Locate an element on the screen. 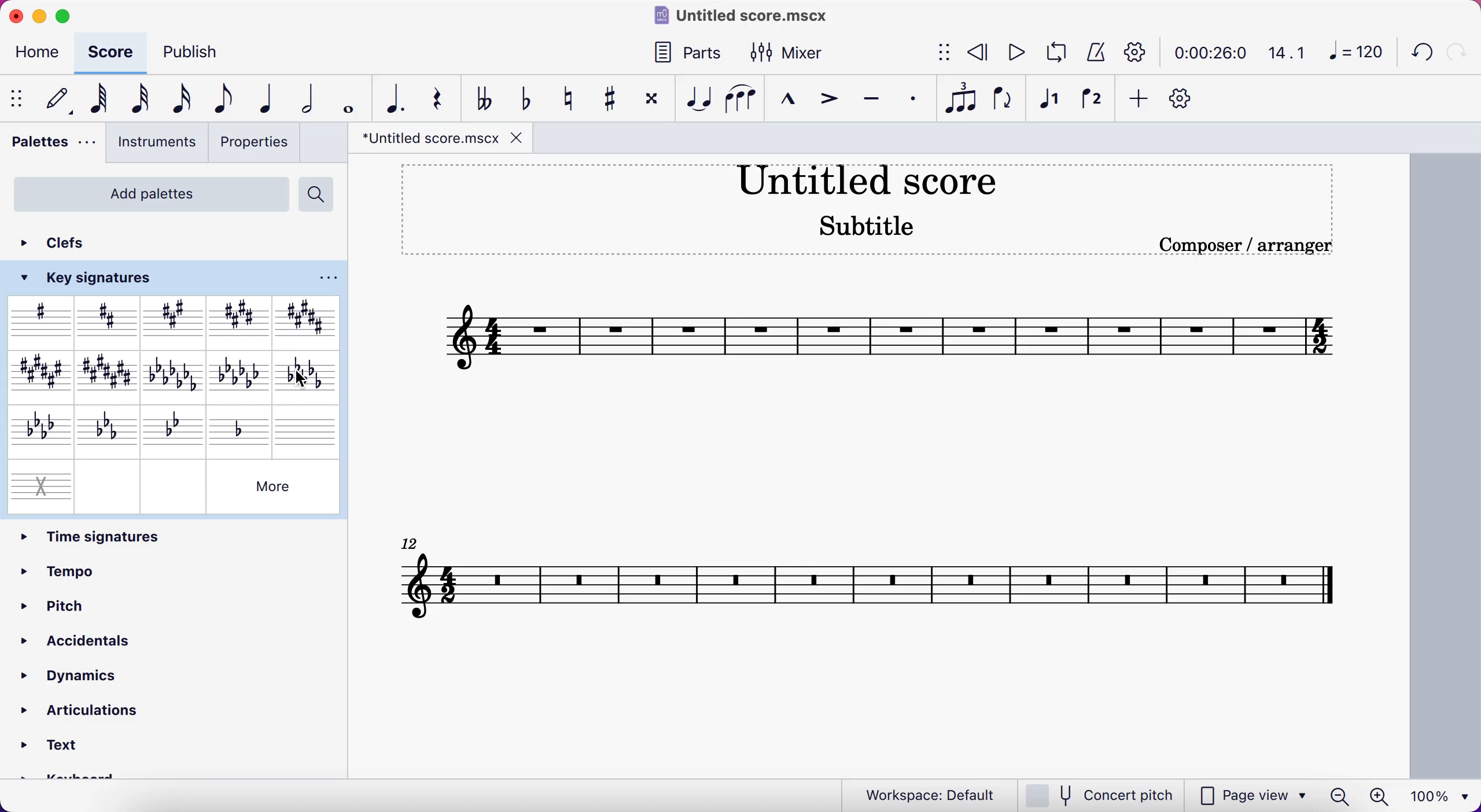  D minor is located at coordinates (241, 427).